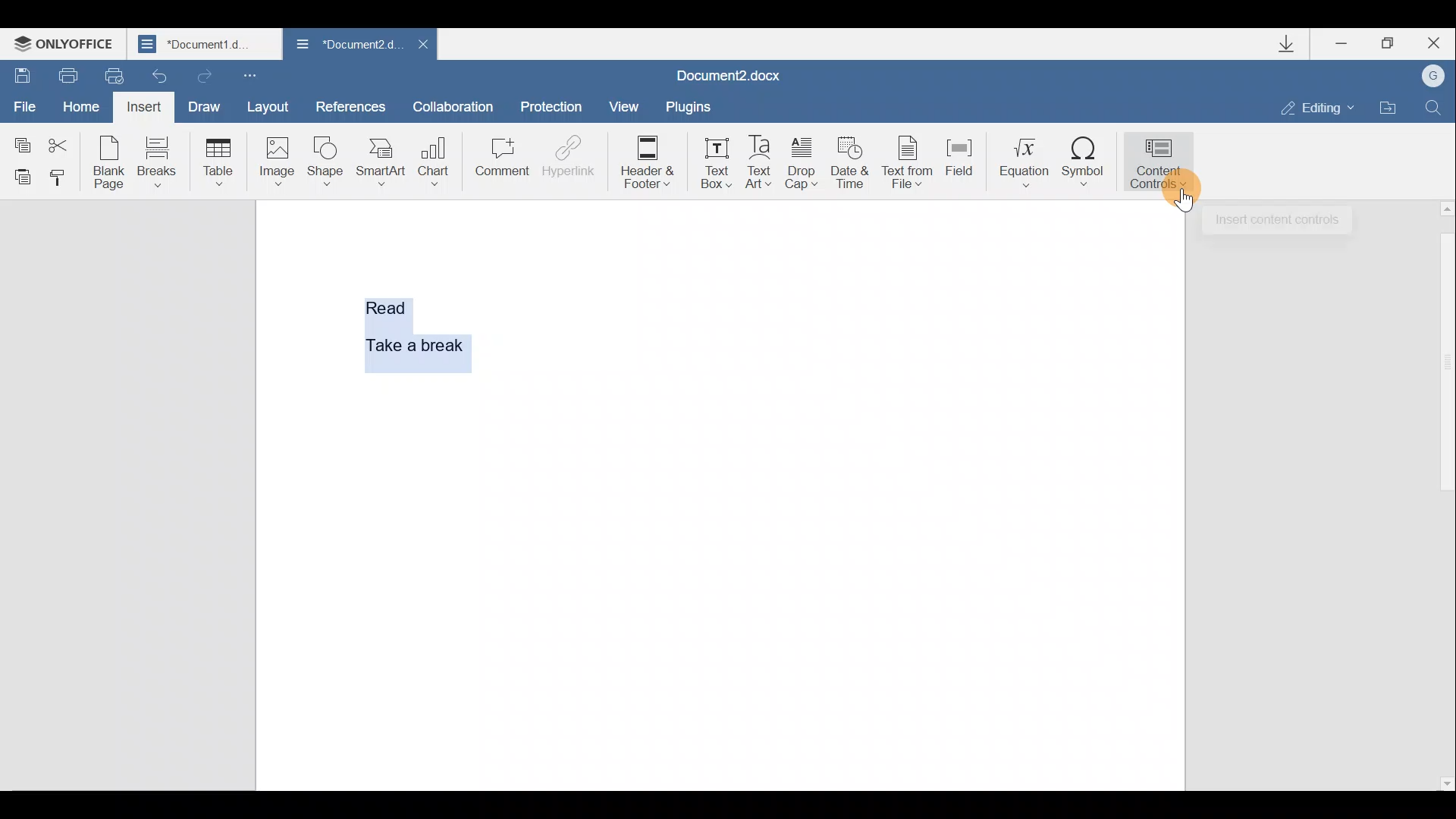  I want to click on Breaks, so click(158, 161).